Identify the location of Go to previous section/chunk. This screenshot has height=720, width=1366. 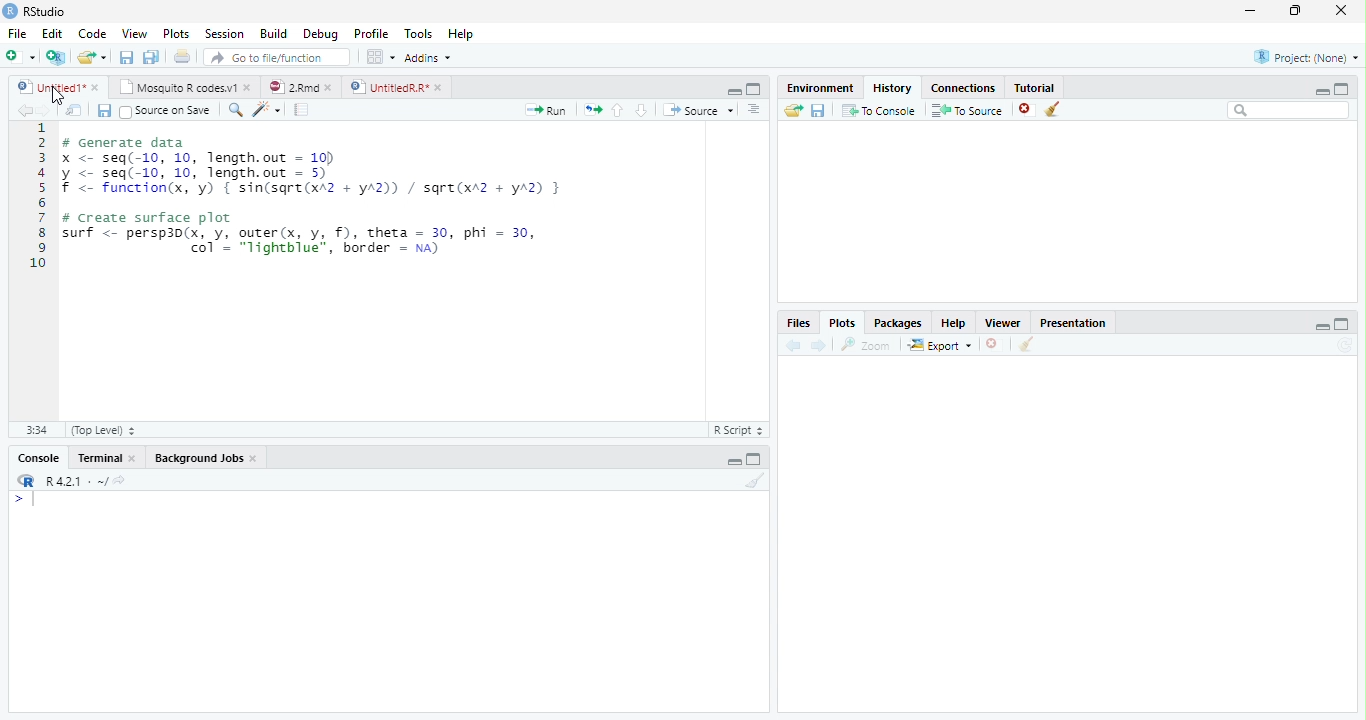
(617, 110).